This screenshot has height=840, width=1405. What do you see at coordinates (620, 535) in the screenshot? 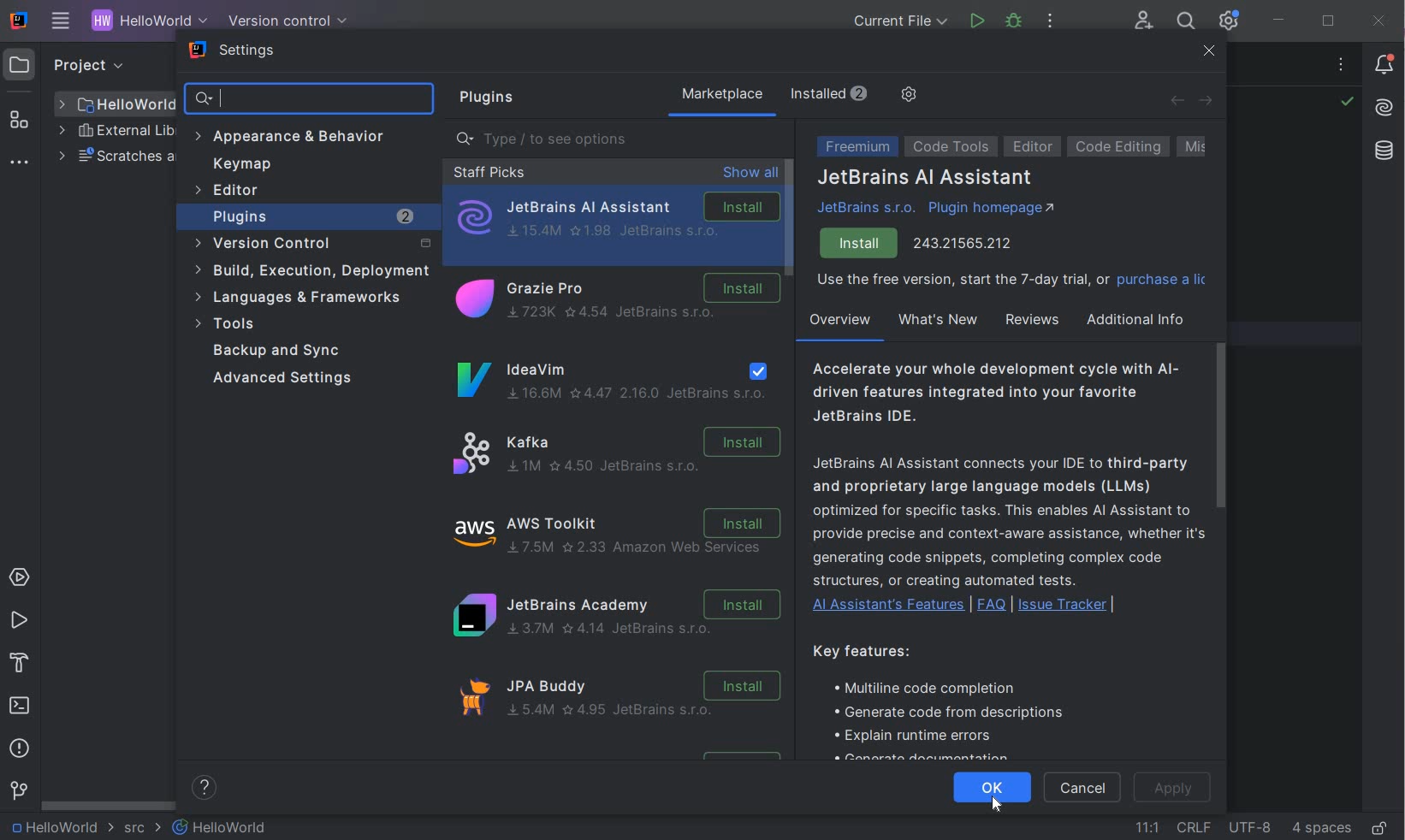
I see `Aws Toolkit Installation` at bounding box center [620, 535].